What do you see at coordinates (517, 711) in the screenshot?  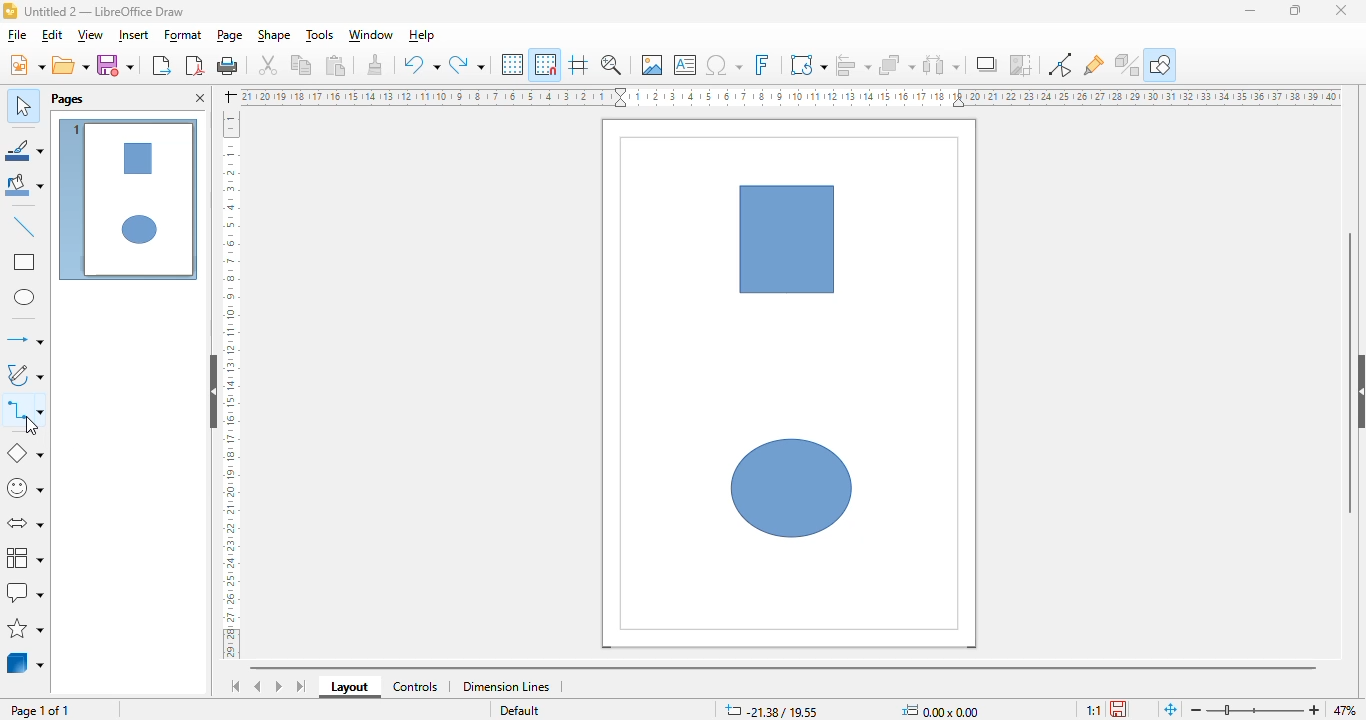 I see `Default` at bounding box center [517, 711].